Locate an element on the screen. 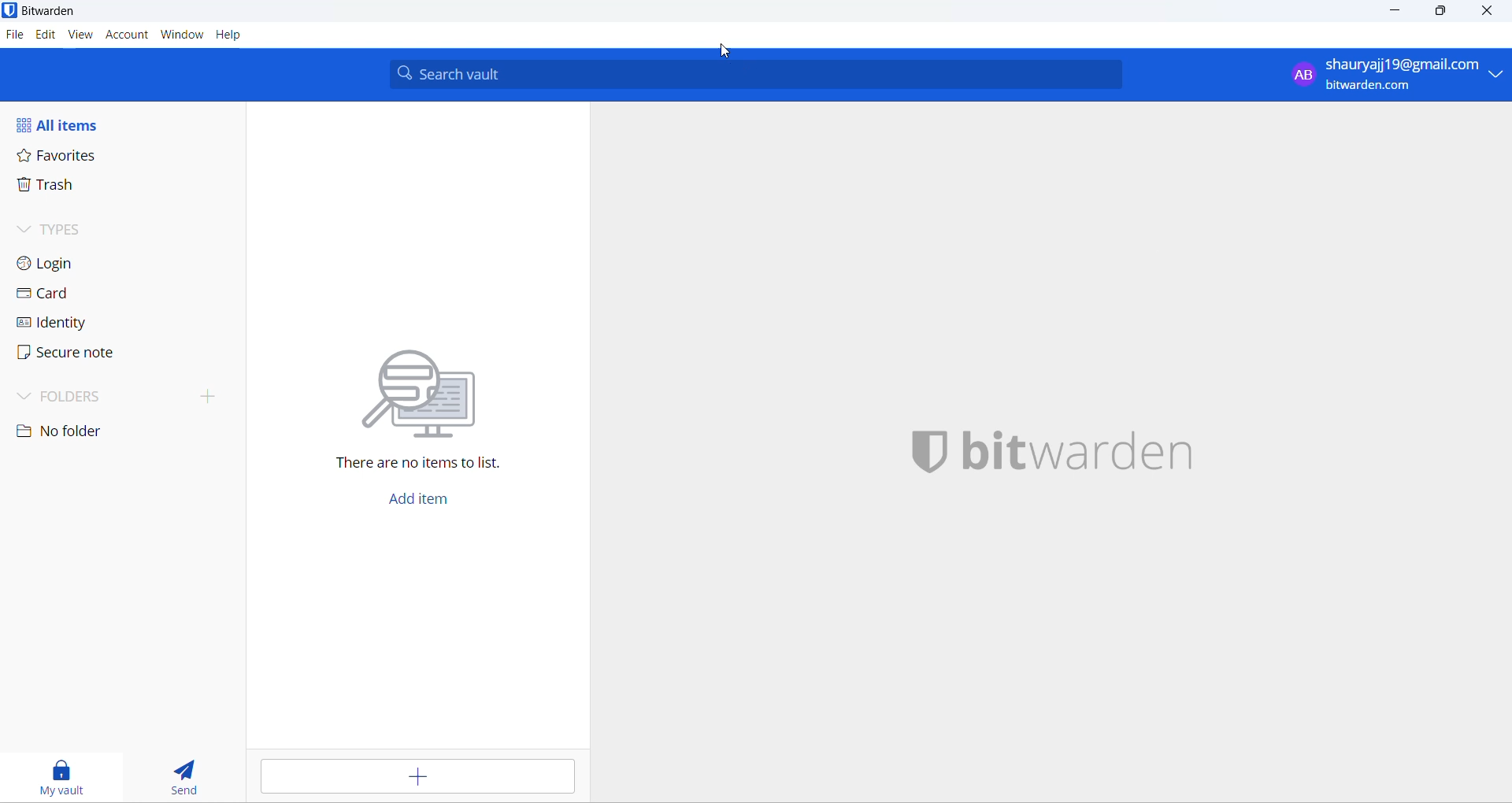 This screenshot has height=803, width=1512. window is located at coordinates (180, 35).